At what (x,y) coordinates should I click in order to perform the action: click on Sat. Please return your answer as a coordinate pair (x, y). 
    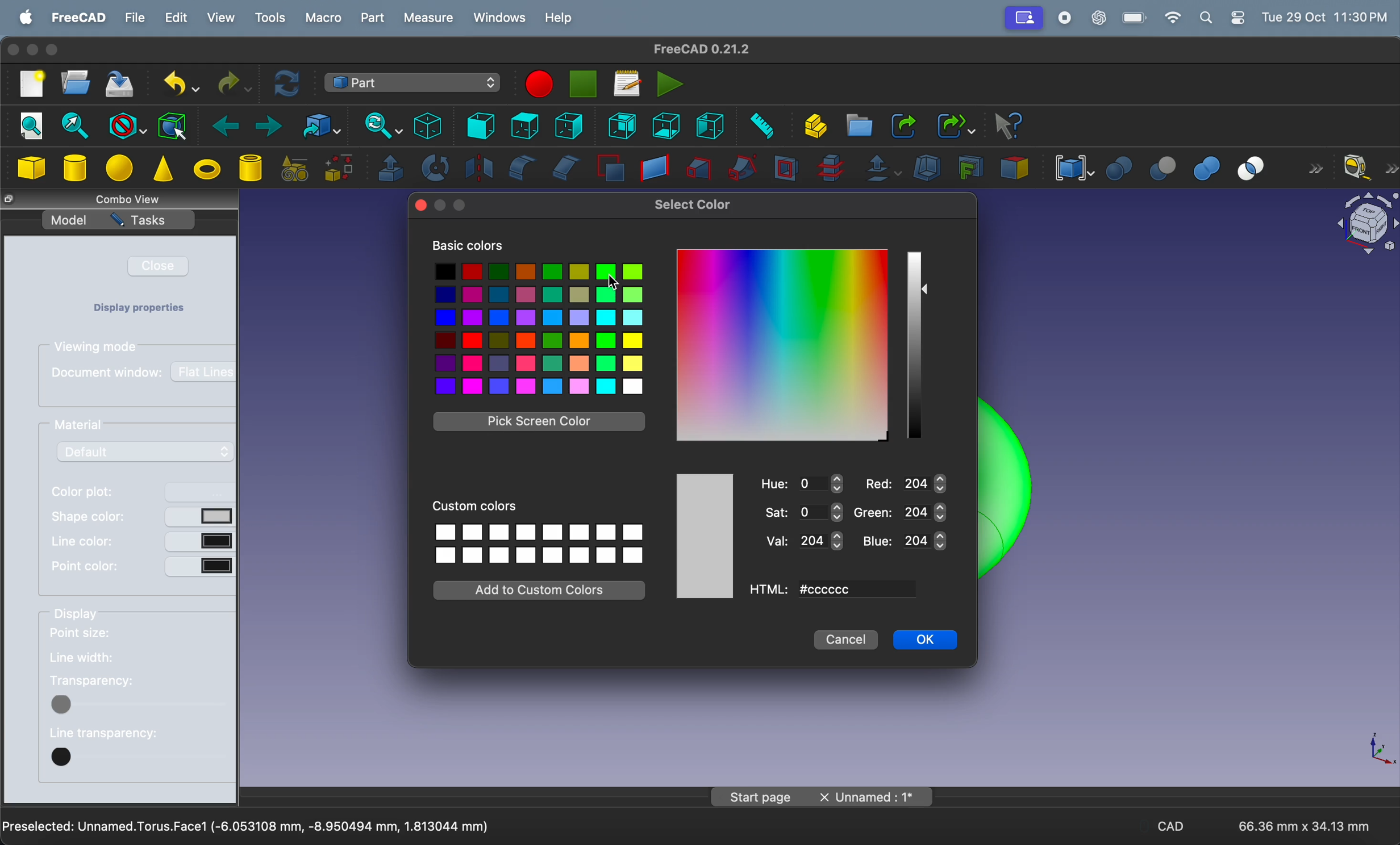
    Looking at the image, I should click on (803, 512).